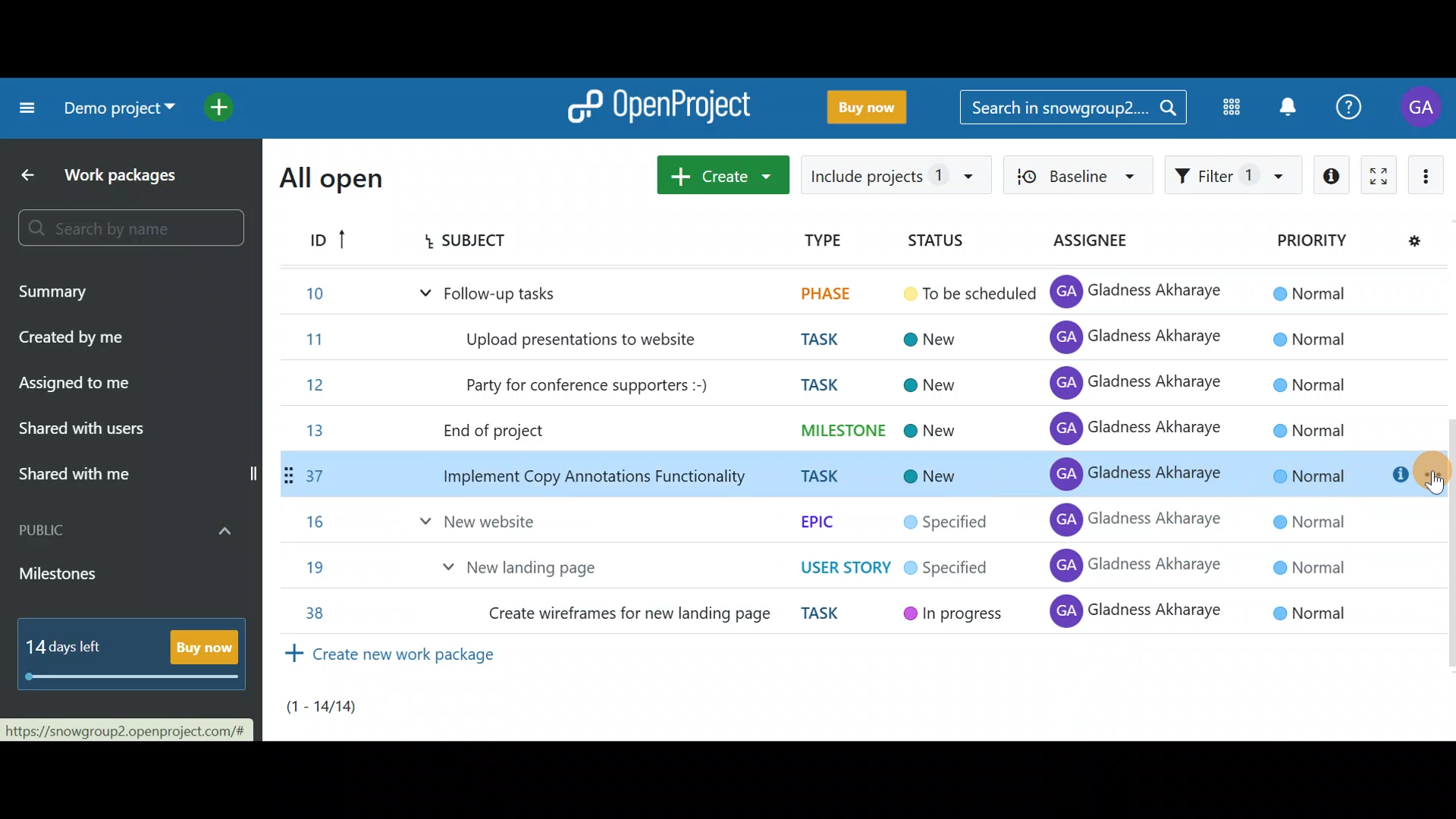 The width and height of the screenshot is (1456, 819). What do you see at coordinates (723, 173) in the screenshot?
I see `Create new work package` at bounding box center [723, 173].